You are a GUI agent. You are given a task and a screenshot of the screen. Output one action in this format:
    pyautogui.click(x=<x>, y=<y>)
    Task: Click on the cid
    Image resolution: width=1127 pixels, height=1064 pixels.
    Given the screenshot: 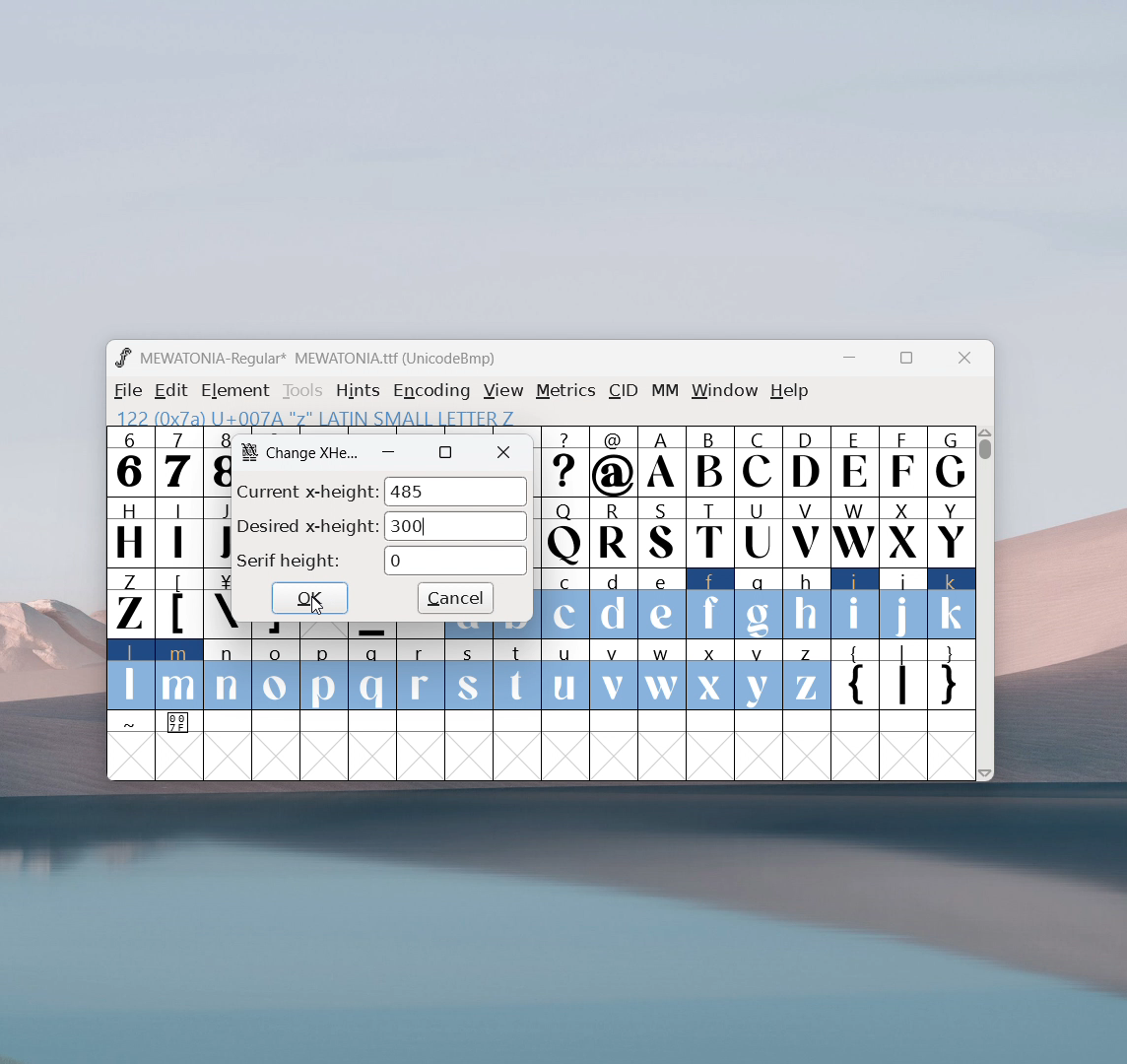 What is the action you would take?
    pyautogui.click(x=623, y=391)
    